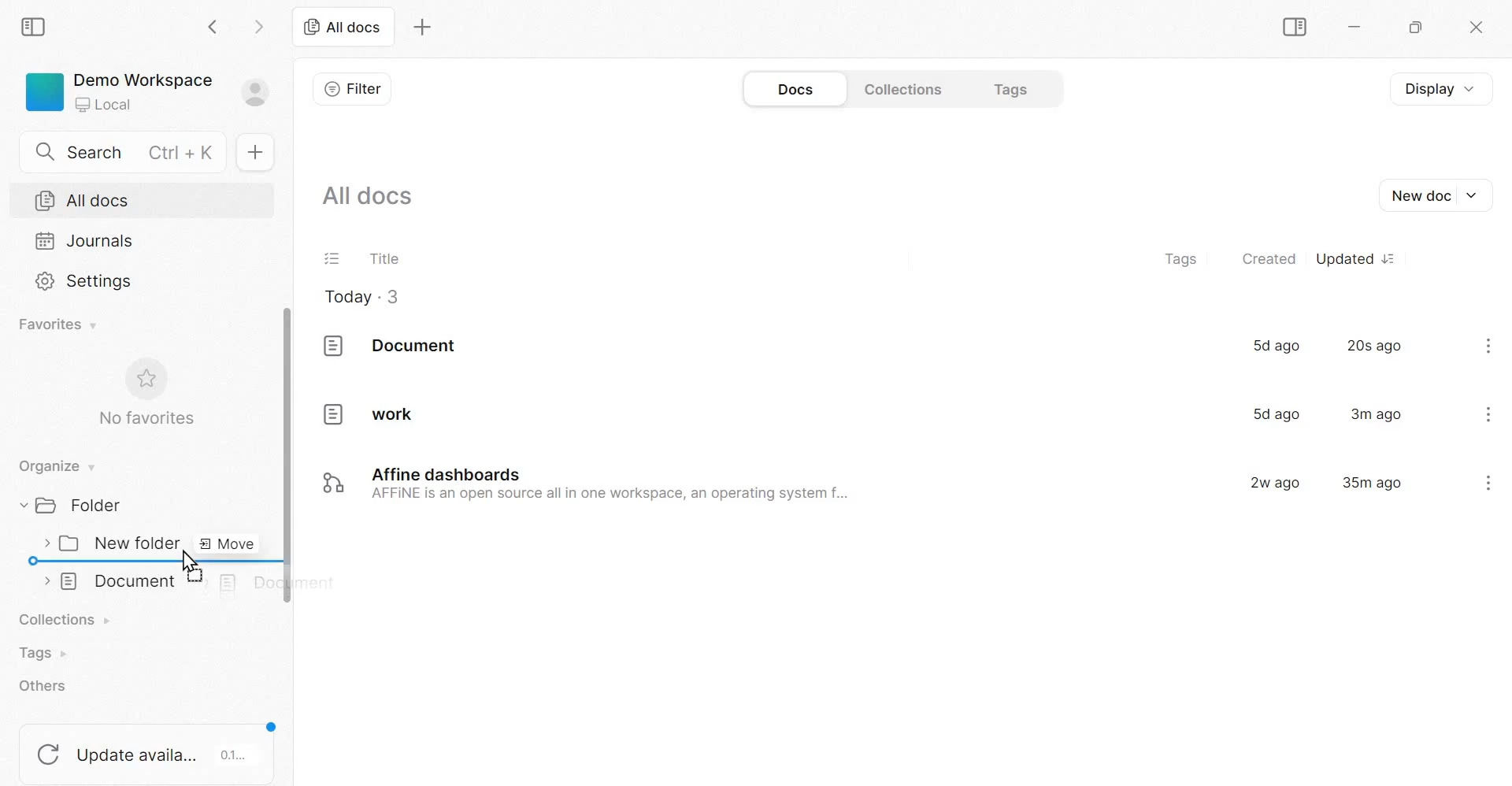  Describe the element at coordinates (1432, 87) in the screenshot. I see `Display` at that location.